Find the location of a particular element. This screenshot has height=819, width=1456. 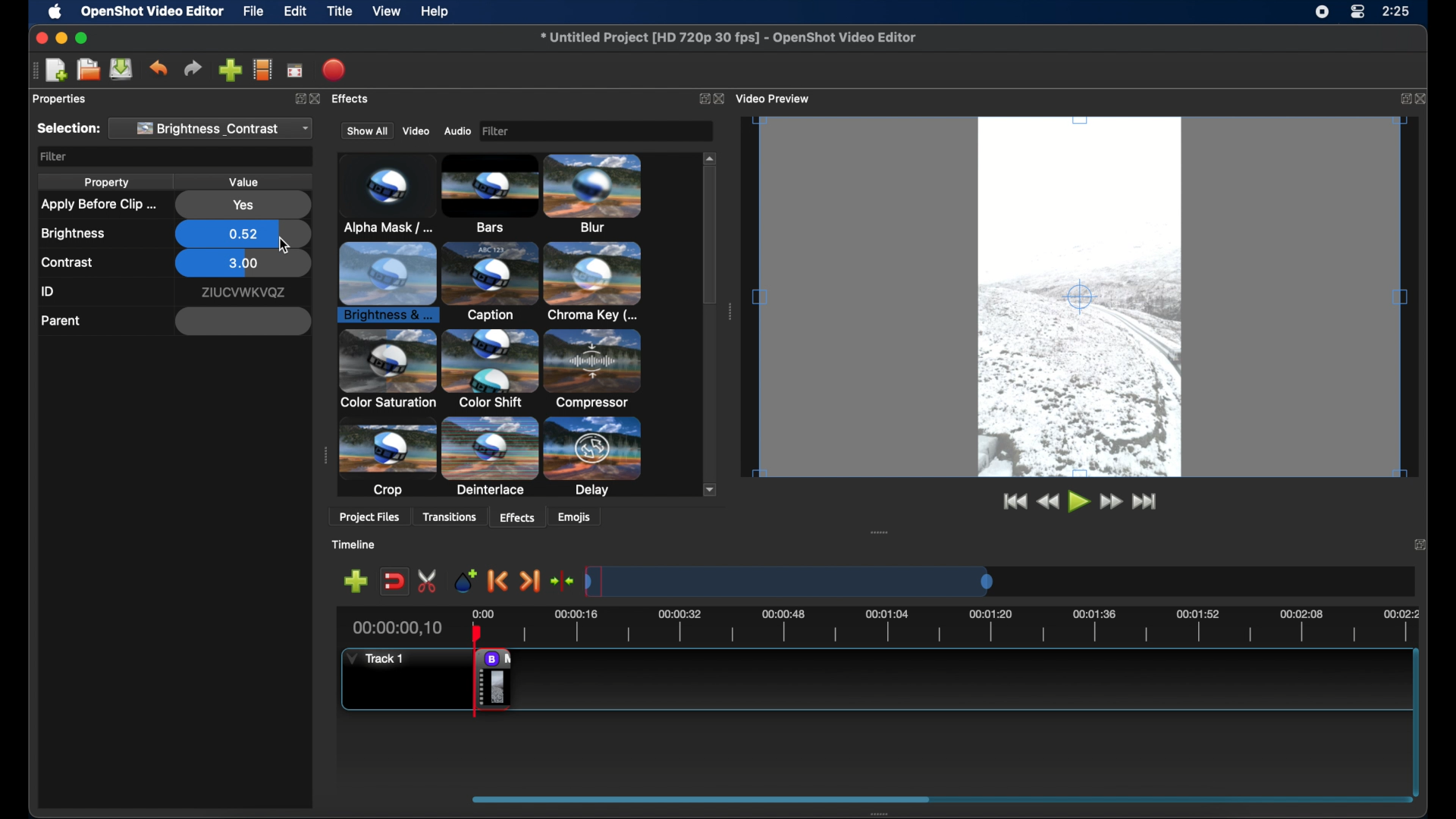

color shift is located at coordinates (598, 283).